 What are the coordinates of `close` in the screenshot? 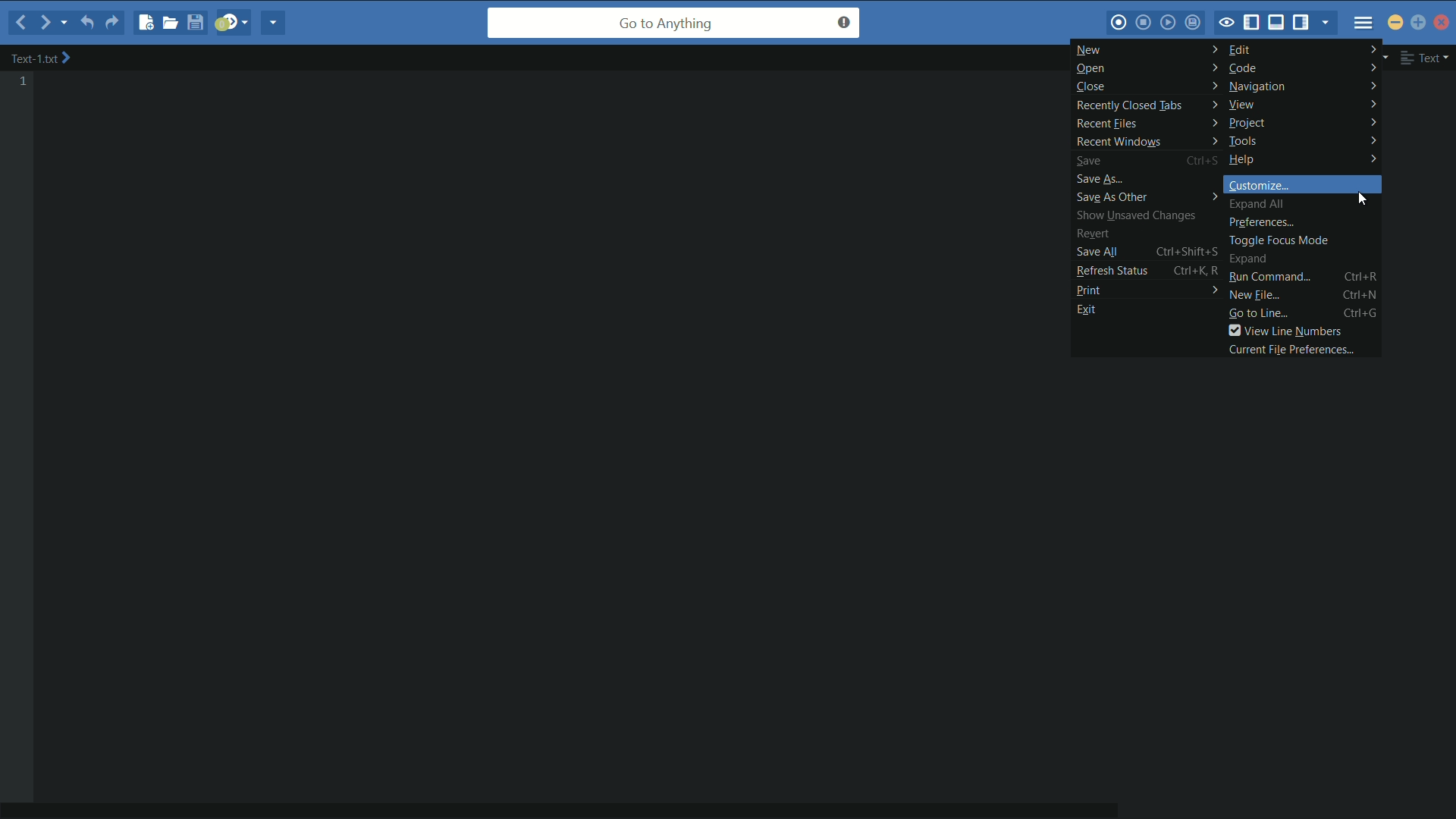 It's located at (1147, 86).